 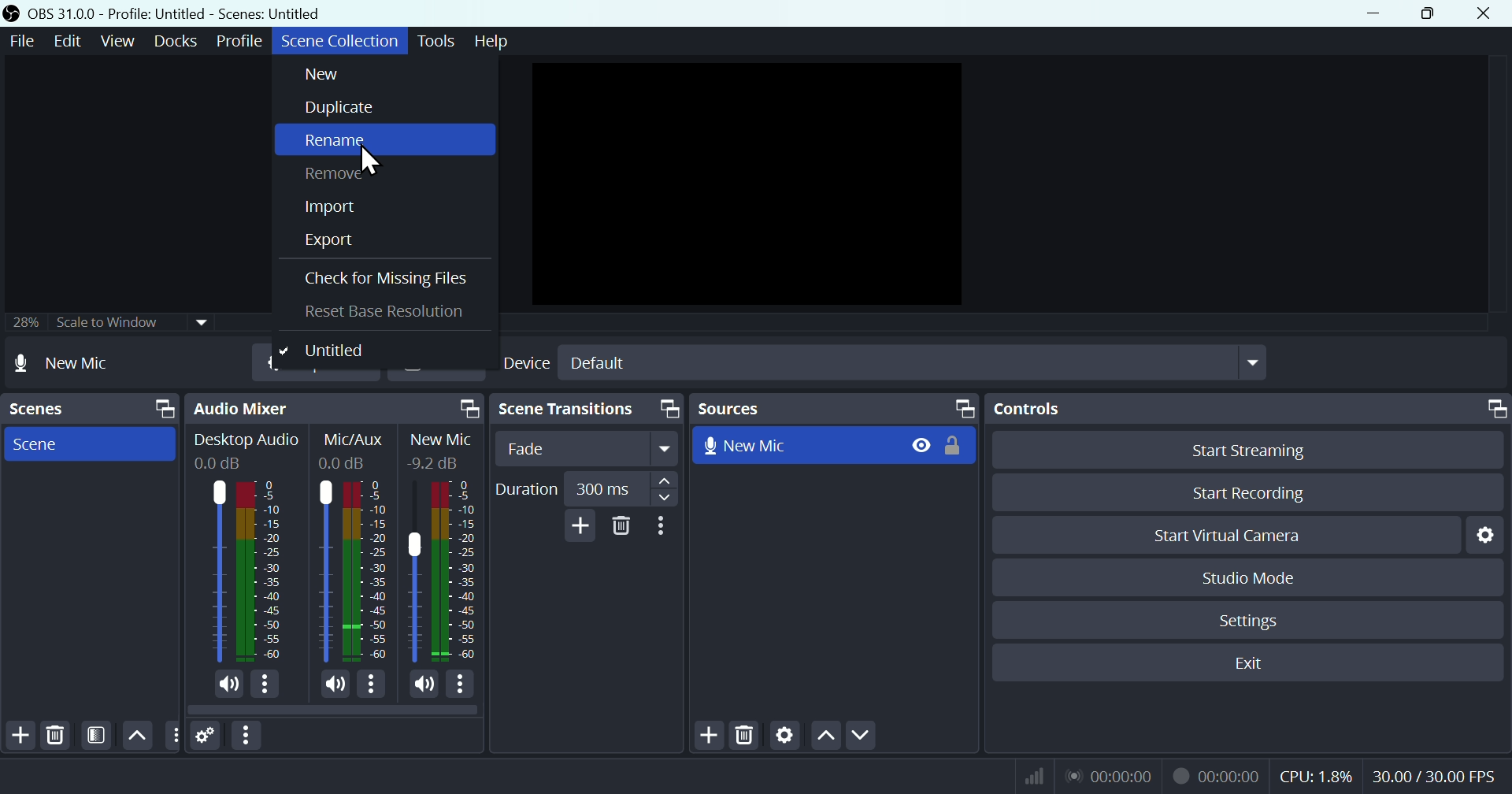 I want to click on New Mic, so click(x=416, y=573).